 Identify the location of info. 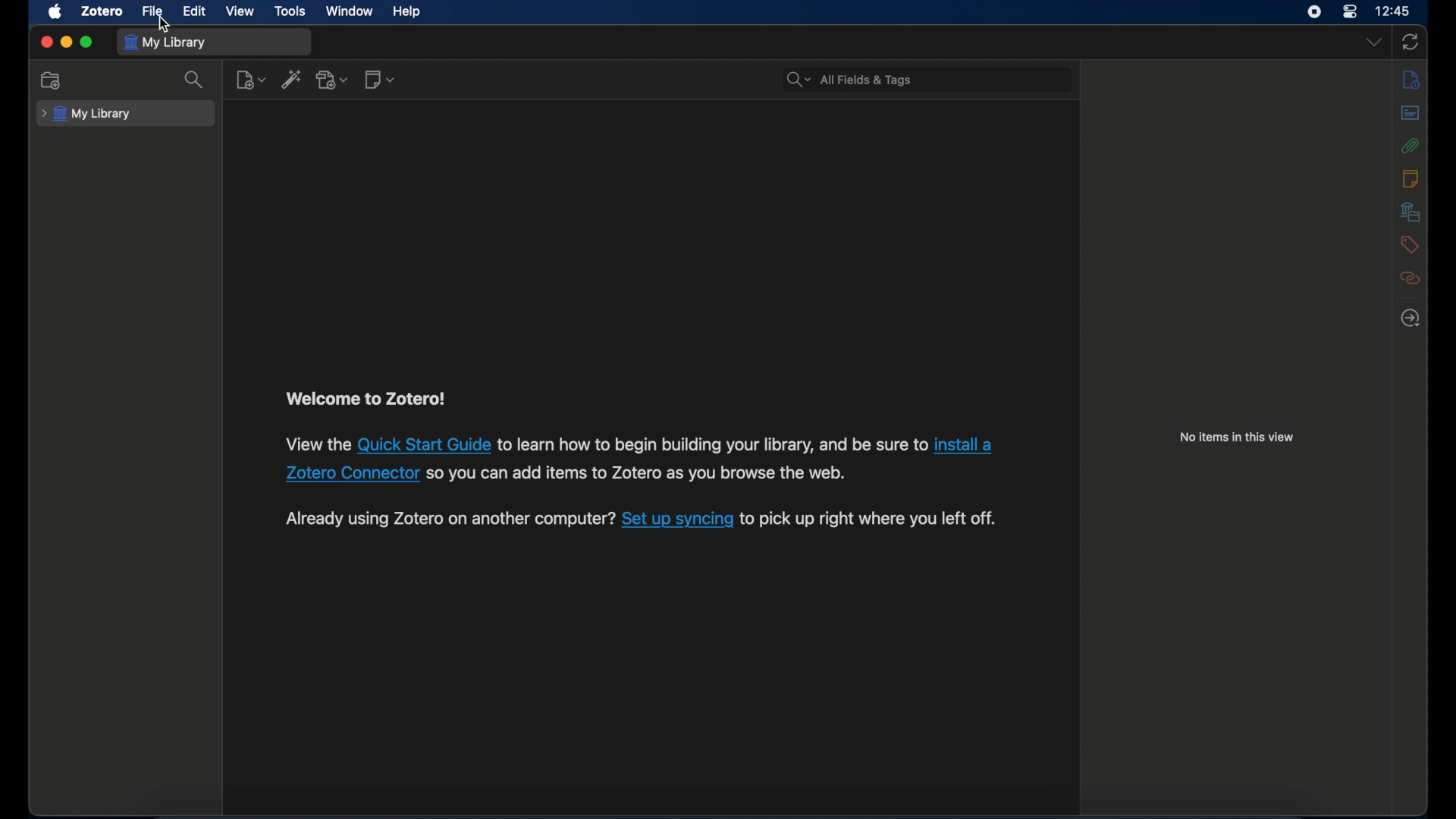
(1412, 80).